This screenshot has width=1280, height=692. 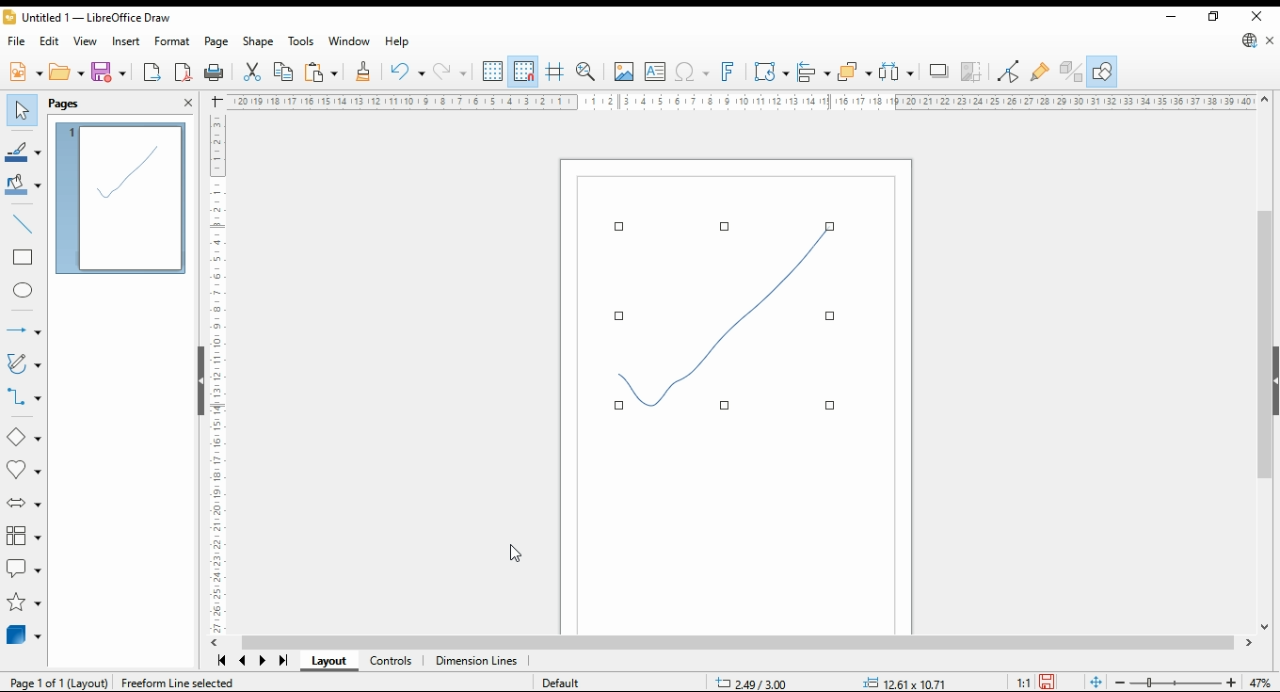 I want to click on helplines when moving, so click(x=556, y=72).